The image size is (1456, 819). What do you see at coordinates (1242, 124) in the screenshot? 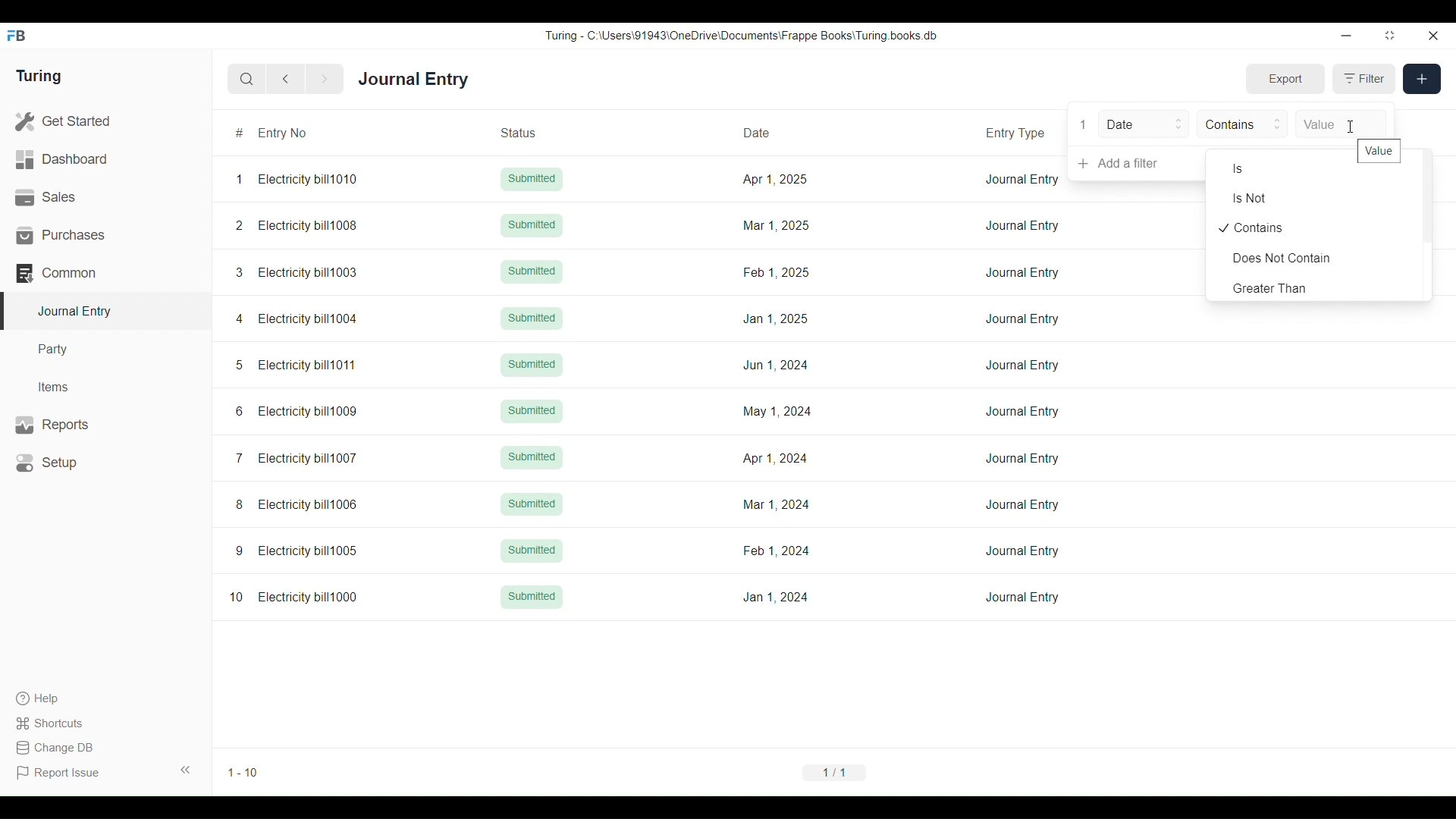
I see `Contains` at bounding box center [1242, 124].